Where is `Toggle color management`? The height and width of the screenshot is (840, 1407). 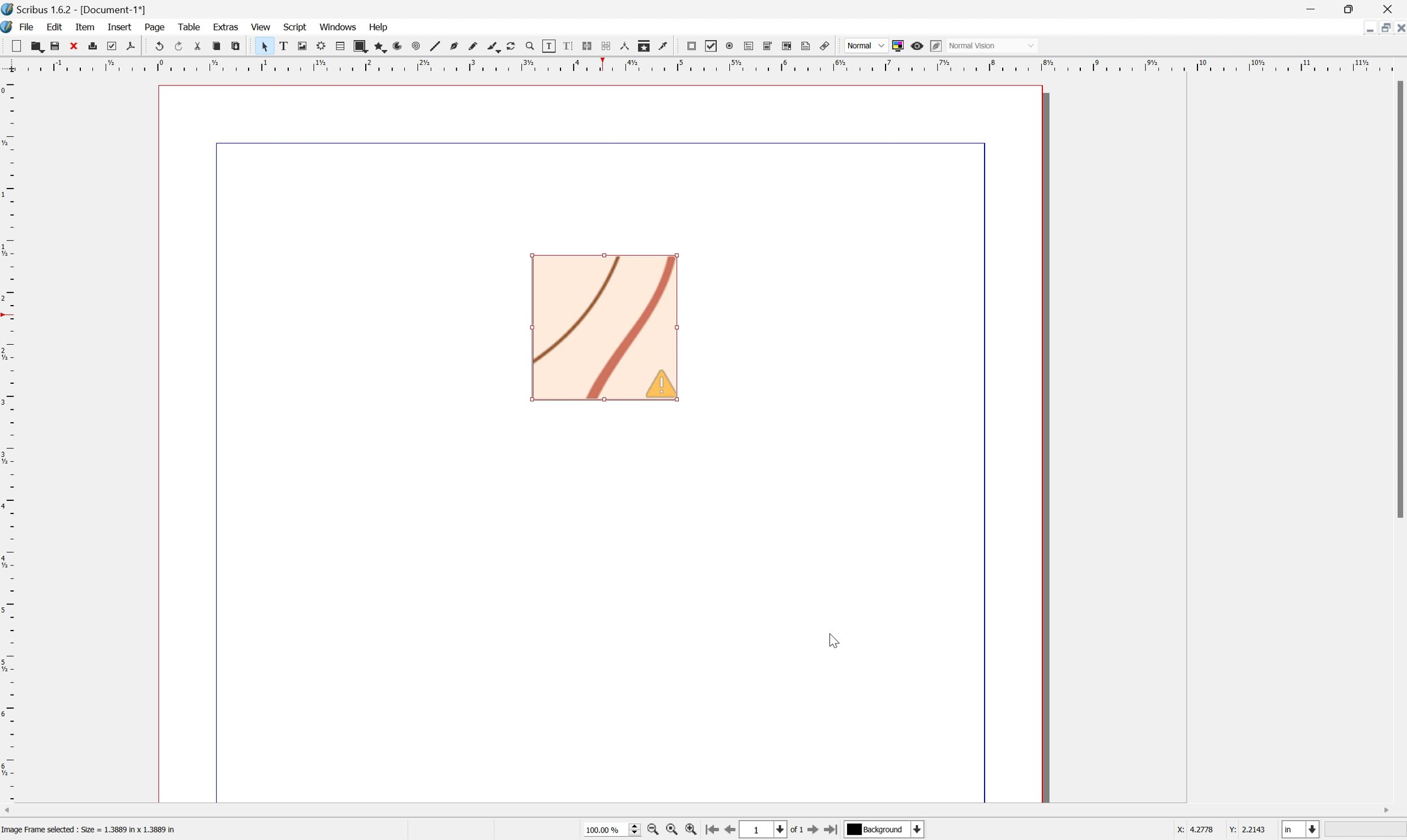 Toggle color management is located at coordinates (899, 45).